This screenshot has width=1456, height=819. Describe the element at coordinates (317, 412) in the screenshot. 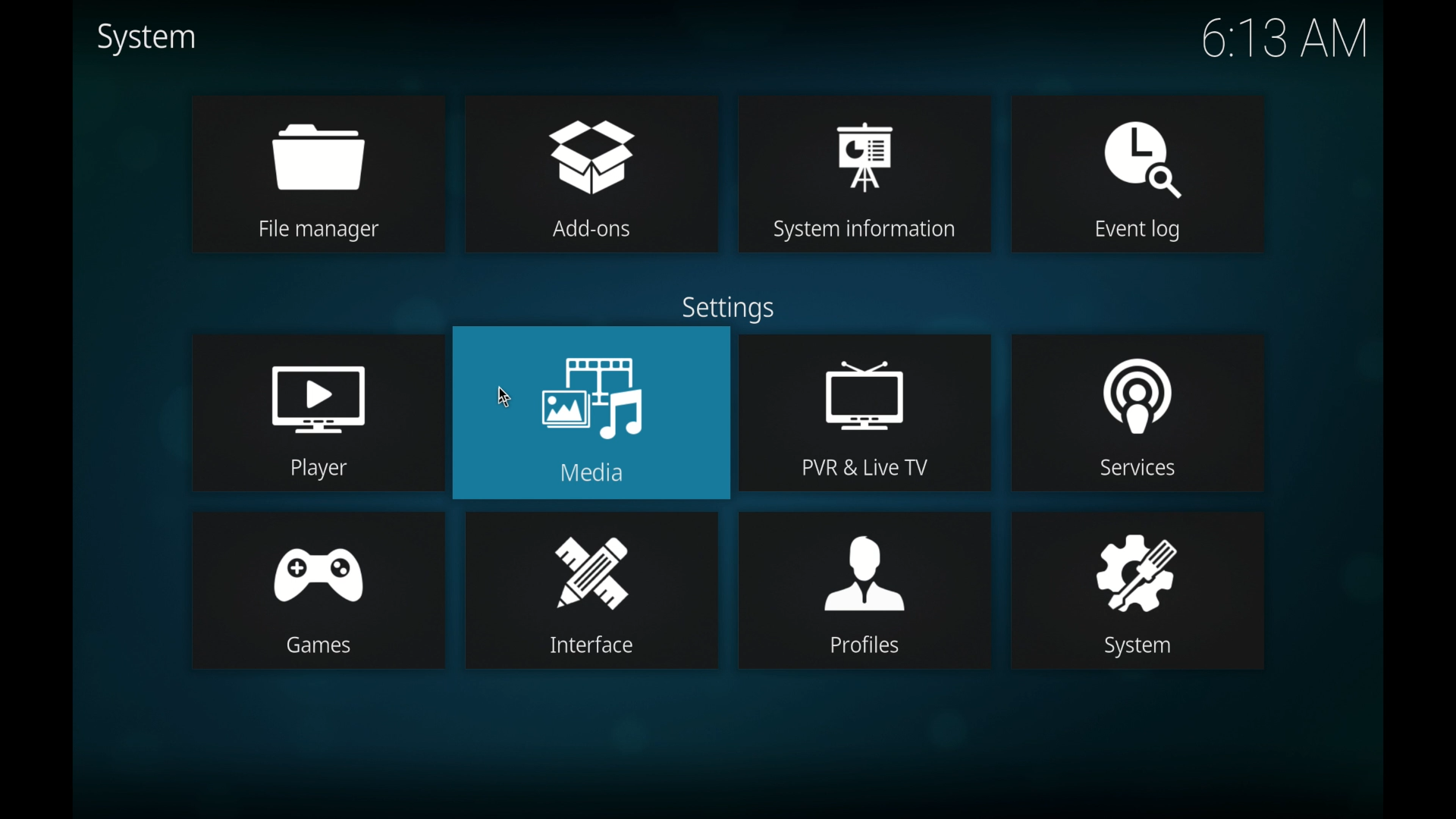

I see `player` at that location.